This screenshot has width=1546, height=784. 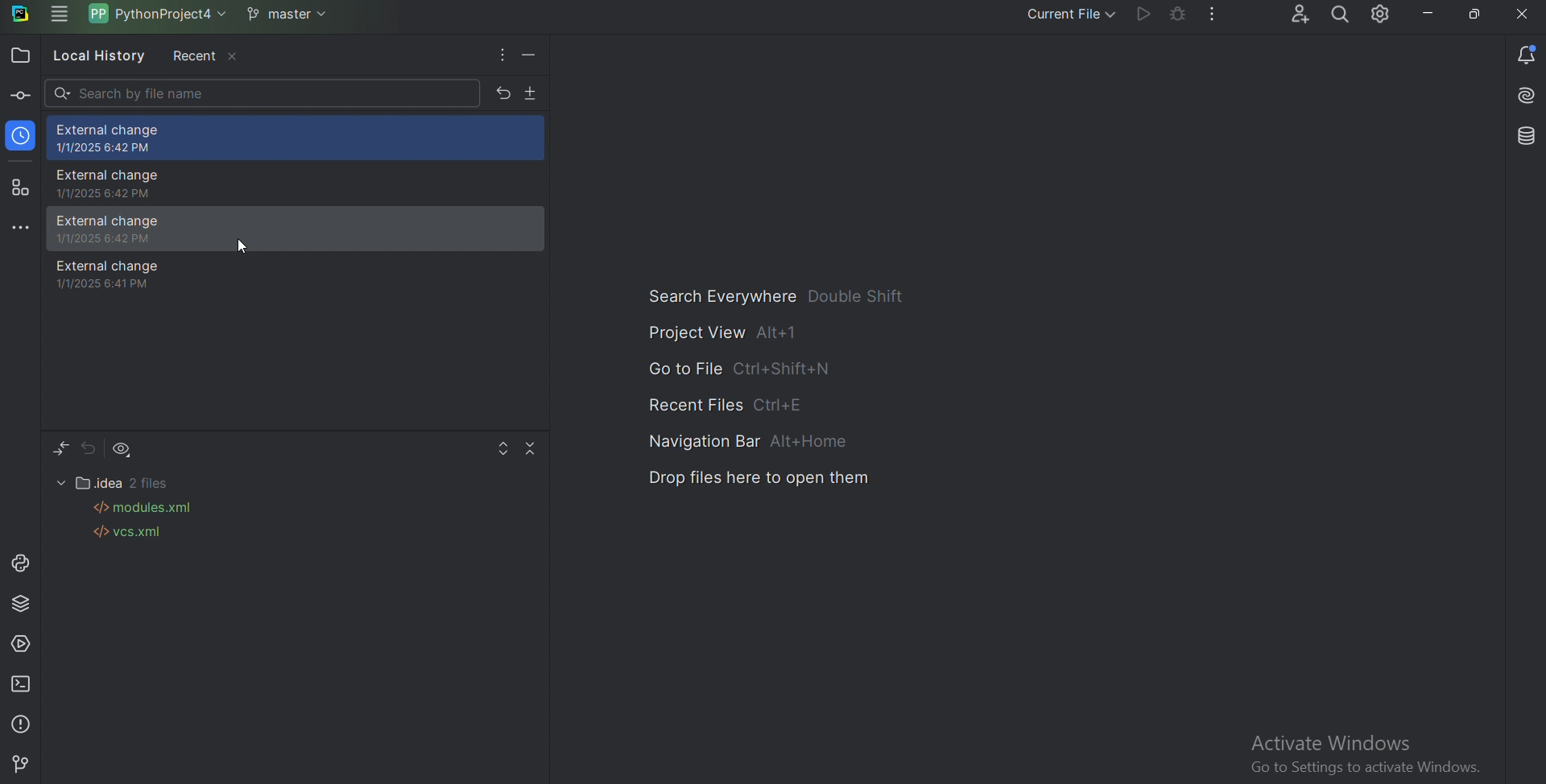 What do you see at coordinates (23, 135) in the screenshot?
I see `Local history` at bounding box center [23, 135].